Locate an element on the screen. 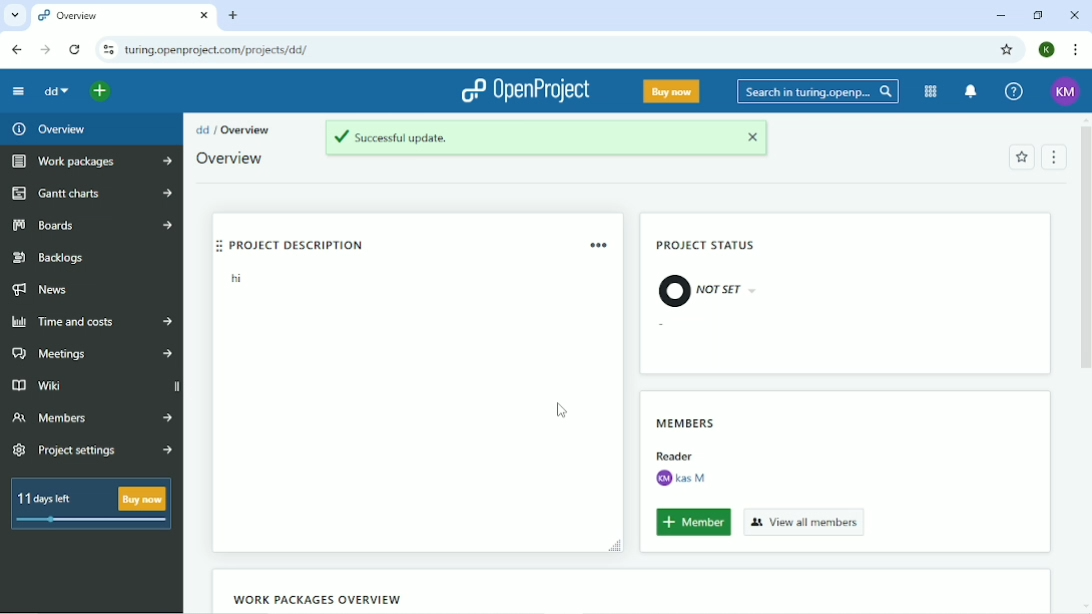 The height and width of the screenshot is (614, 1092). Time and costs is located at coordinates (92, 322).